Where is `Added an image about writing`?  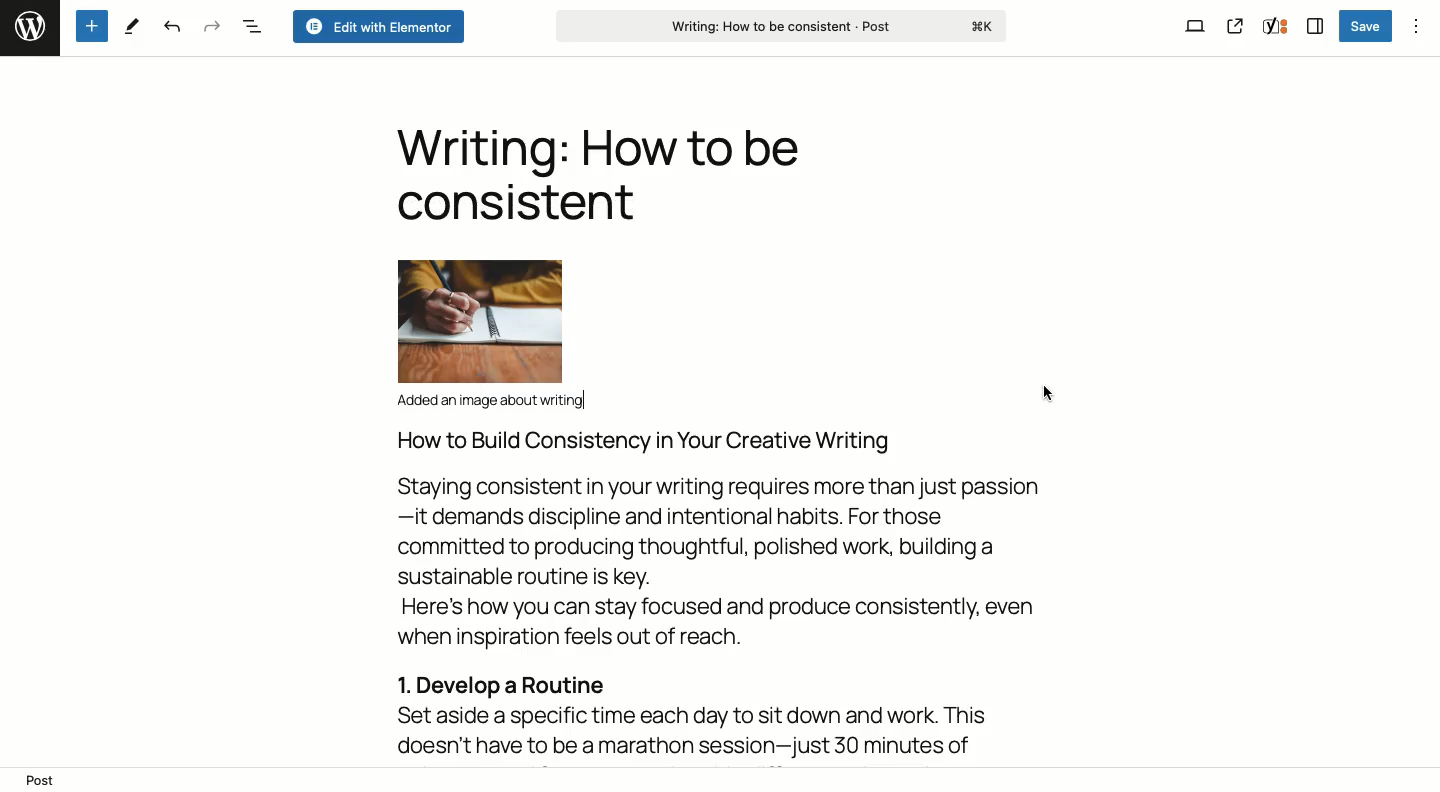
Added an image about writing is located at coordinates (498, 402).